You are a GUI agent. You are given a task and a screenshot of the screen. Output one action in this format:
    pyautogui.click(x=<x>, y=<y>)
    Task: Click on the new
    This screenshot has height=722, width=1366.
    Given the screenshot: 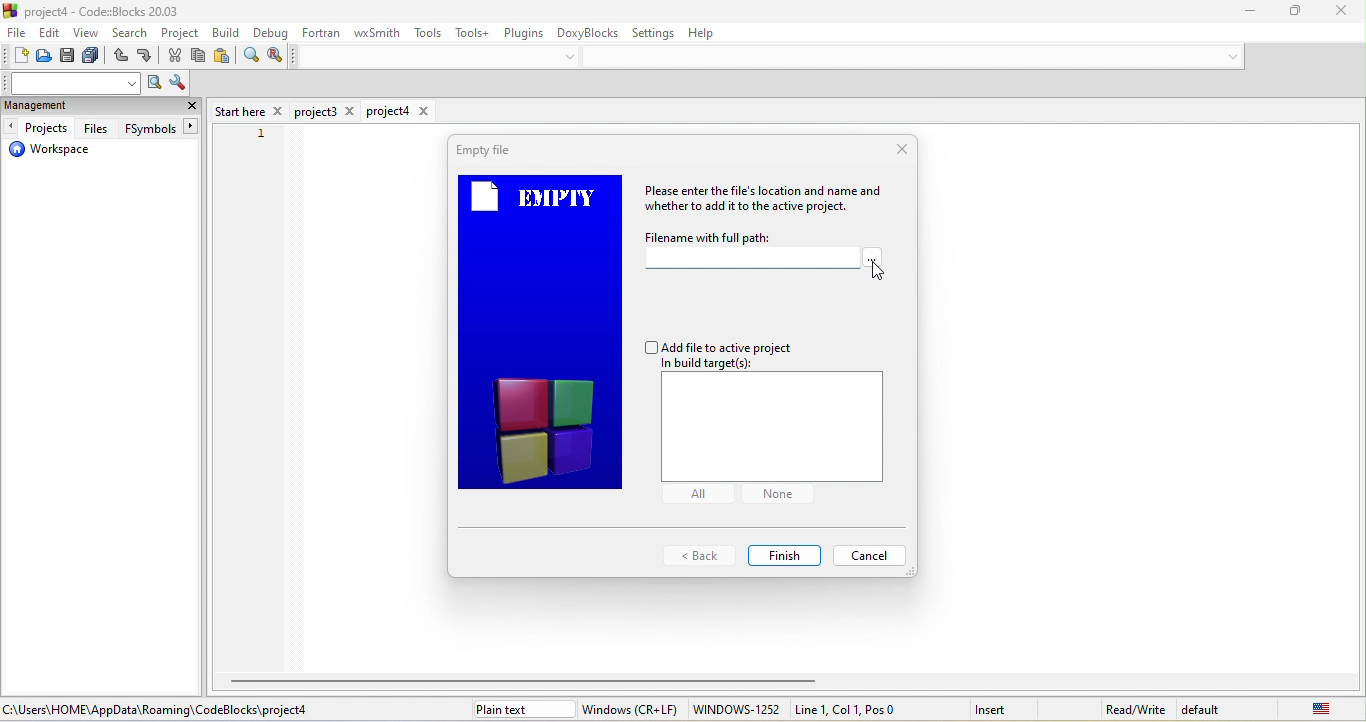 What is the action you would take?
    pyautogui.click(x=15, y=57)
    